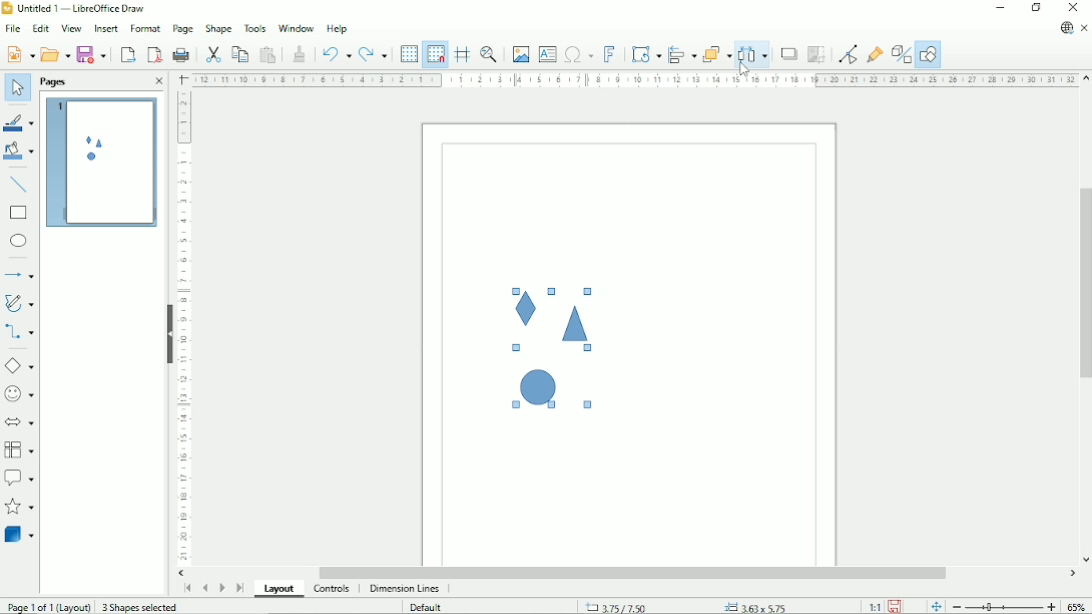 The image size is (1092, 614). Describe the element at coordinates (127, 54) in the screenshot. I see `Export` at that location.